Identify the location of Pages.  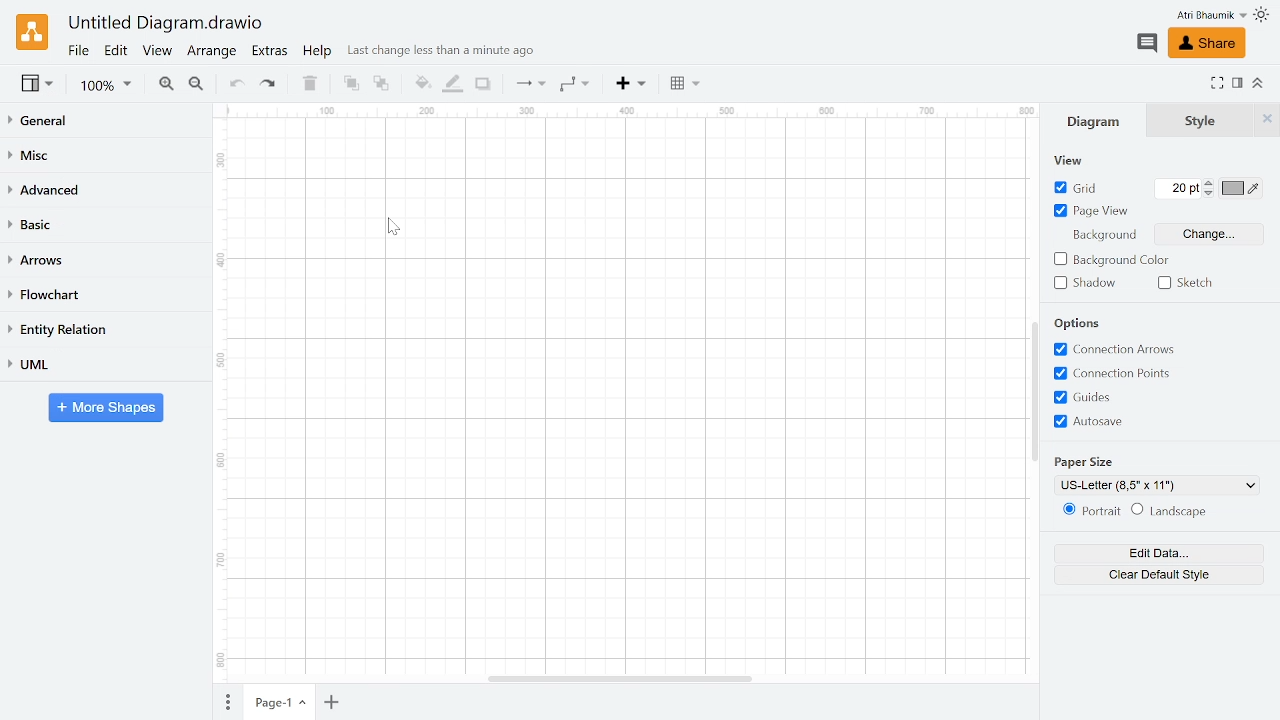
(227, 703).